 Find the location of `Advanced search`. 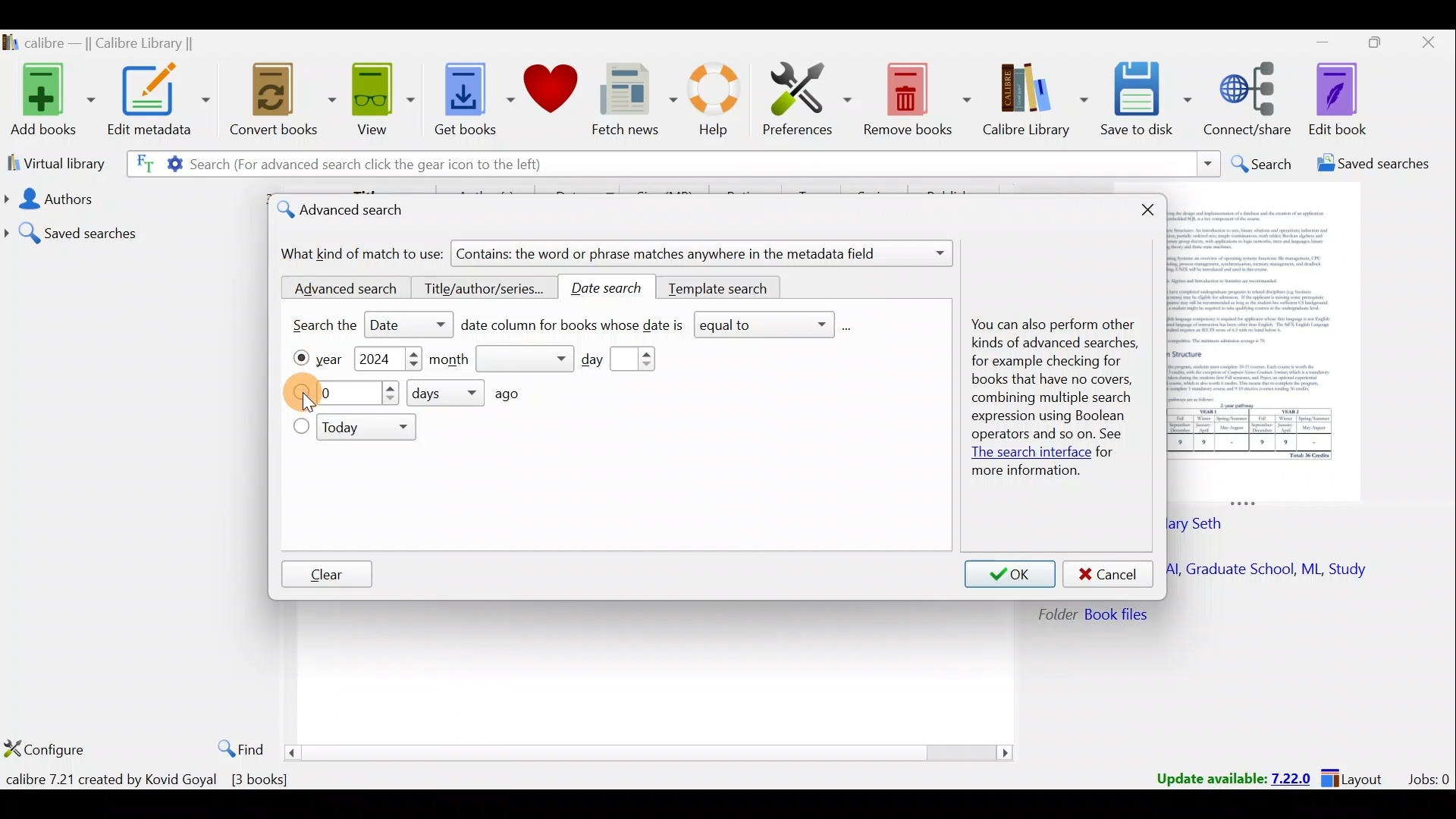

Advanced search is located at coordinates (340, 289).